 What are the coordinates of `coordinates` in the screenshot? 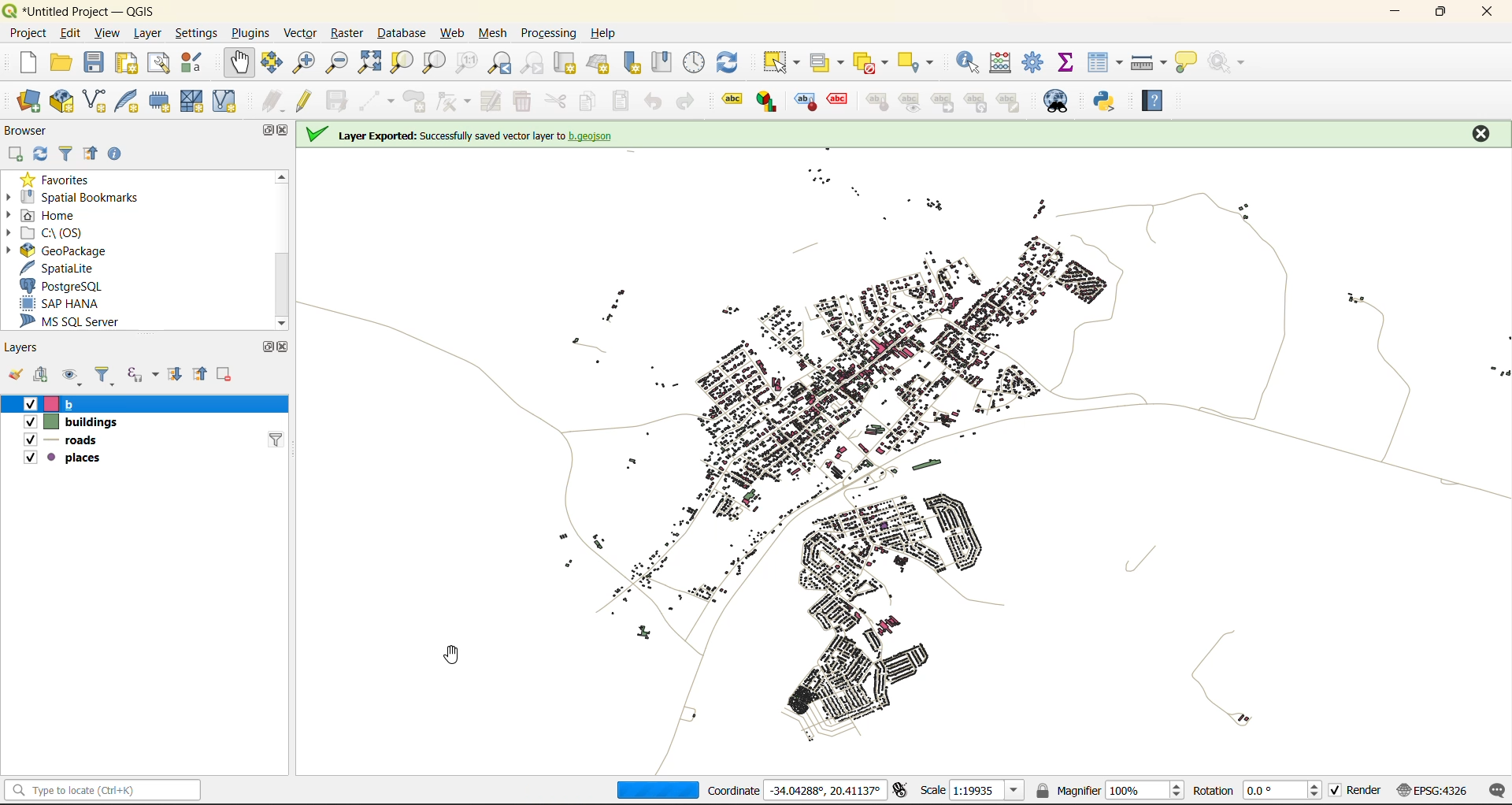 It's located at (799, 792).